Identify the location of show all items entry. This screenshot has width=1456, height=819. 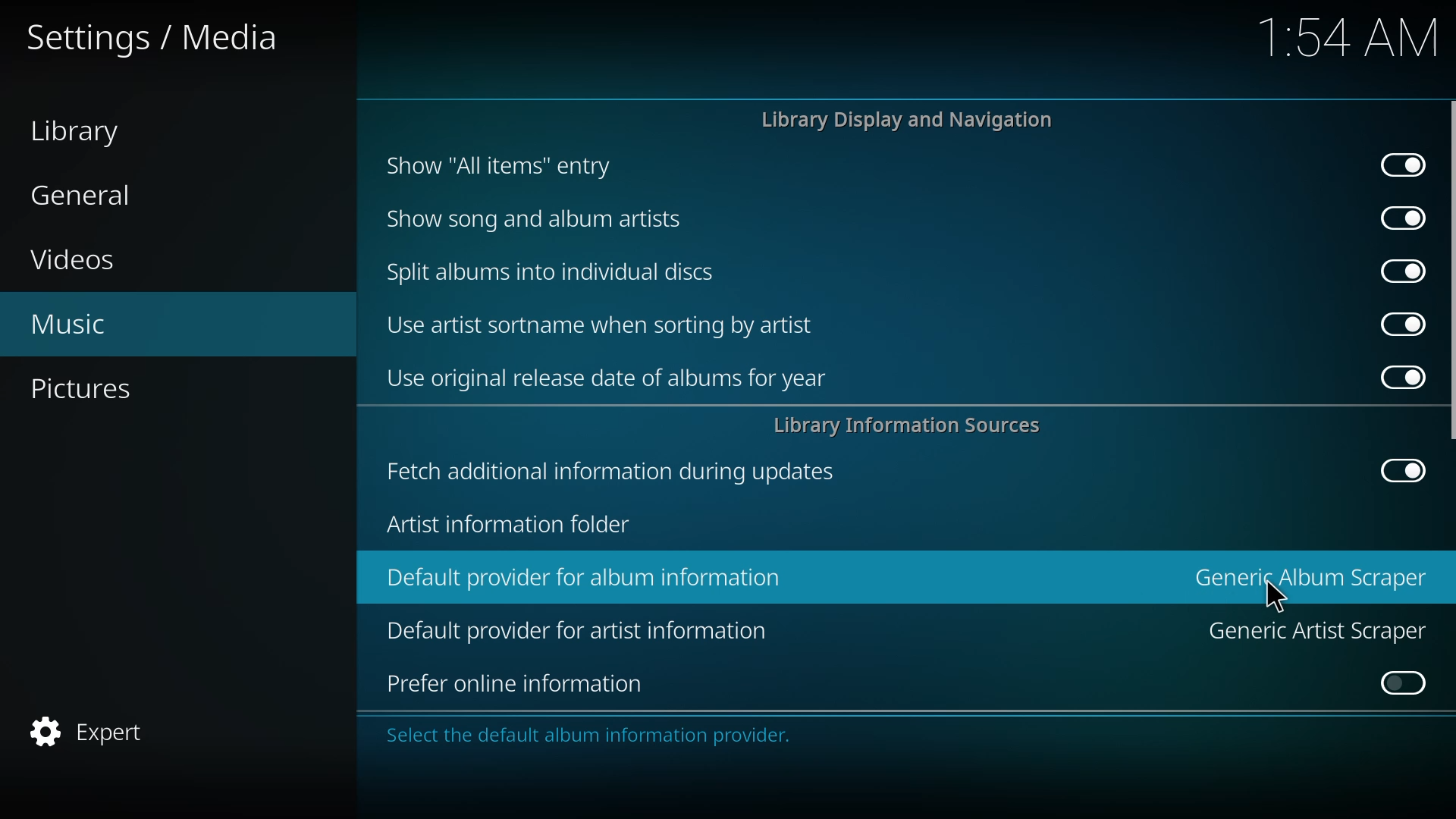
(496, 165).